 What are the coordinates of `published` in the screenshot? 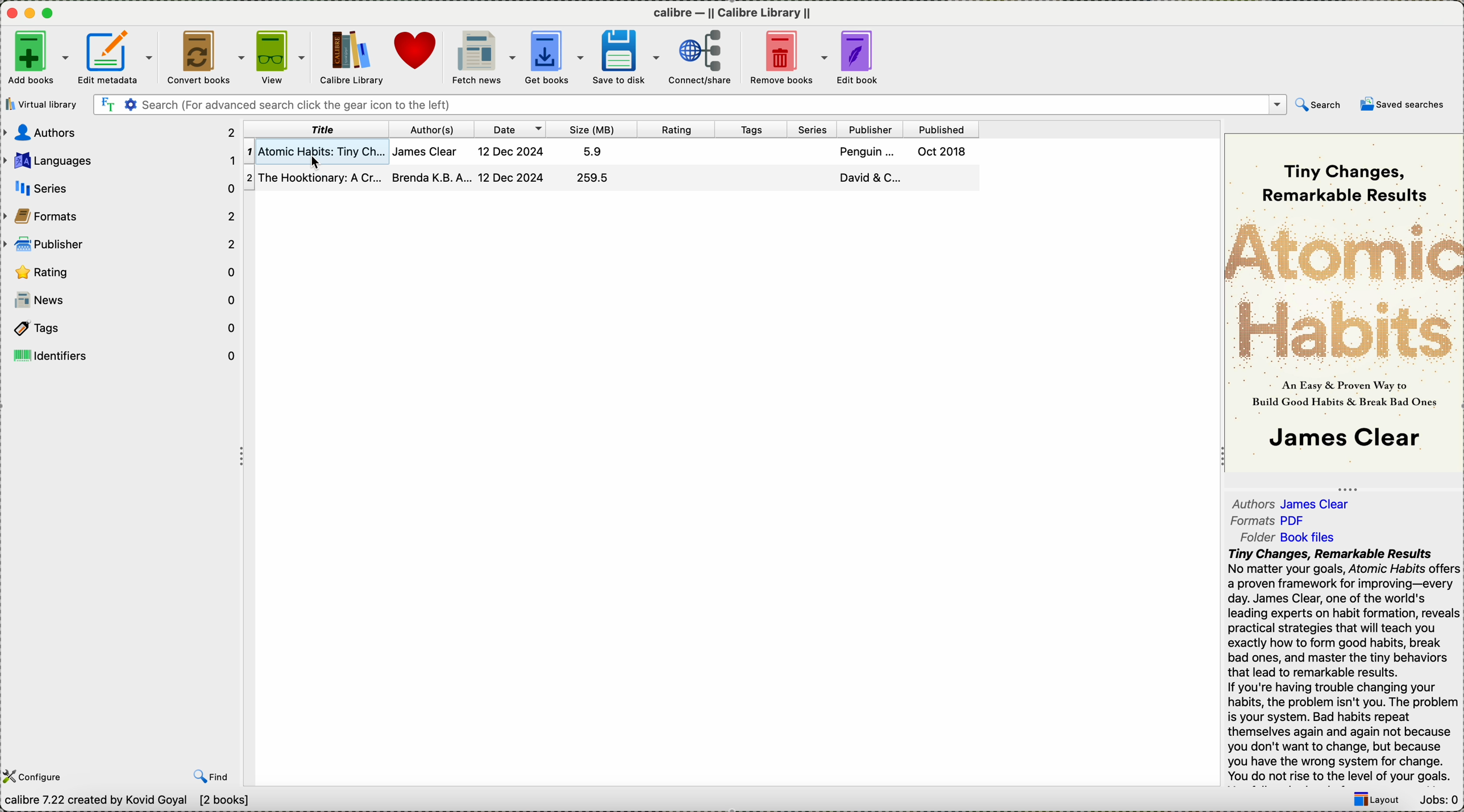 It's located at (942, 130).